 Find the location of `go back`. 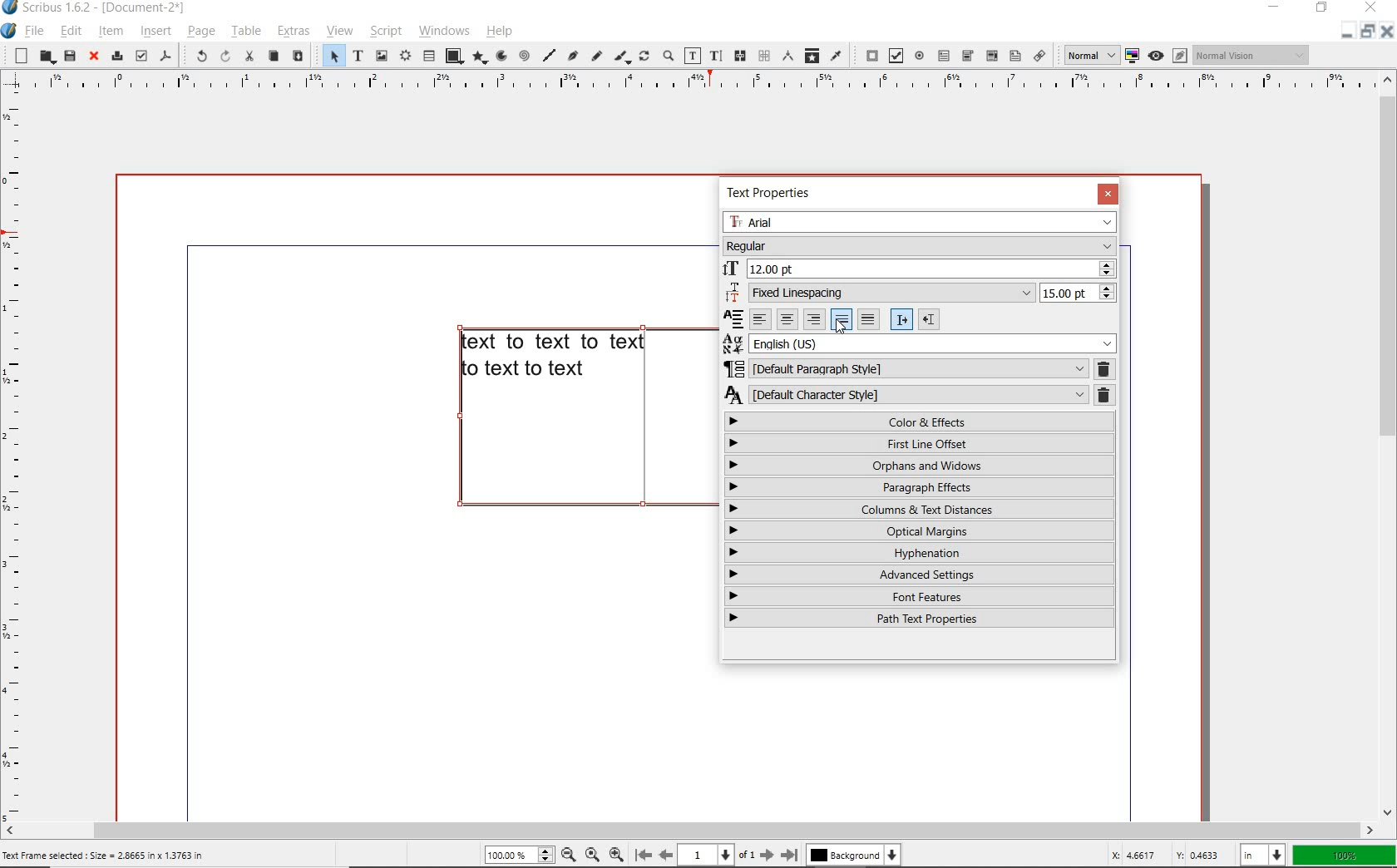

go back is located at coordinates (666, 854).